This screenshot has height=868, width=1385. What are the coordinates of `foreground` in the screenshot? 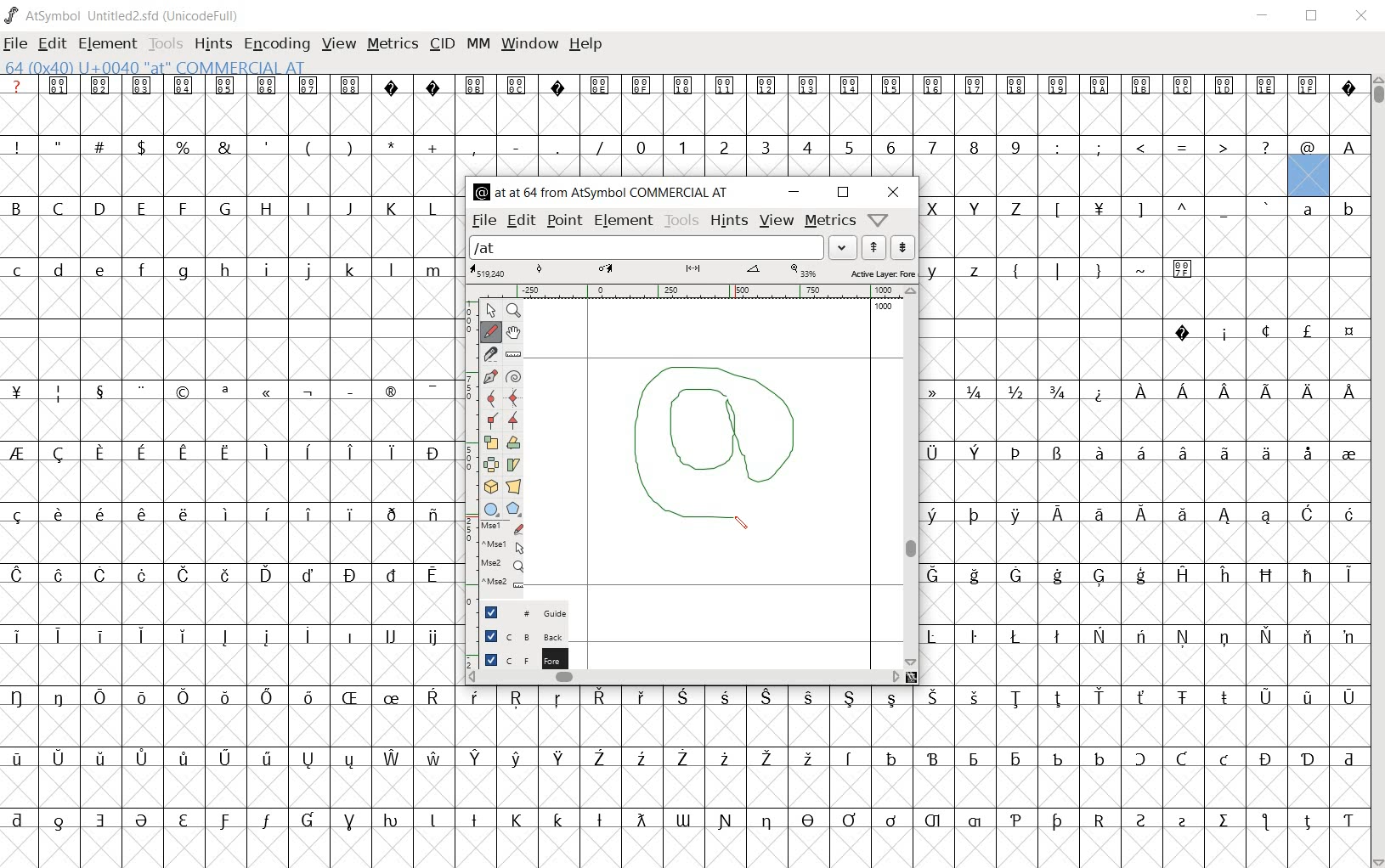 It's located at (540, 656).